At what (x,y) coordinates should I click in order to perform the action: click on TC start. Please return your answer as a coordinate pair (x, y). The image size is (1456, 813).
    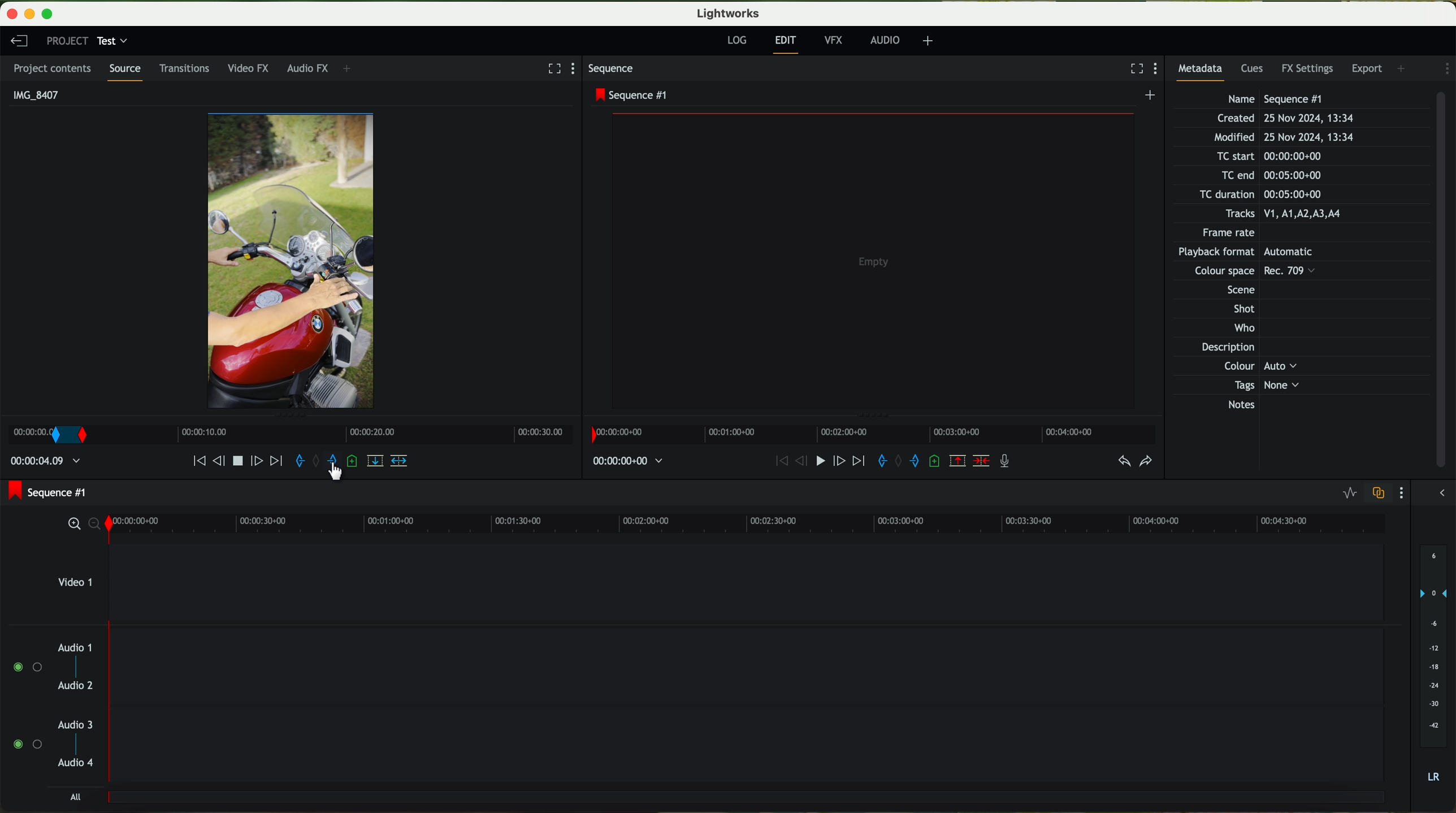
    Looking at the image, I should click on (1267, 157).